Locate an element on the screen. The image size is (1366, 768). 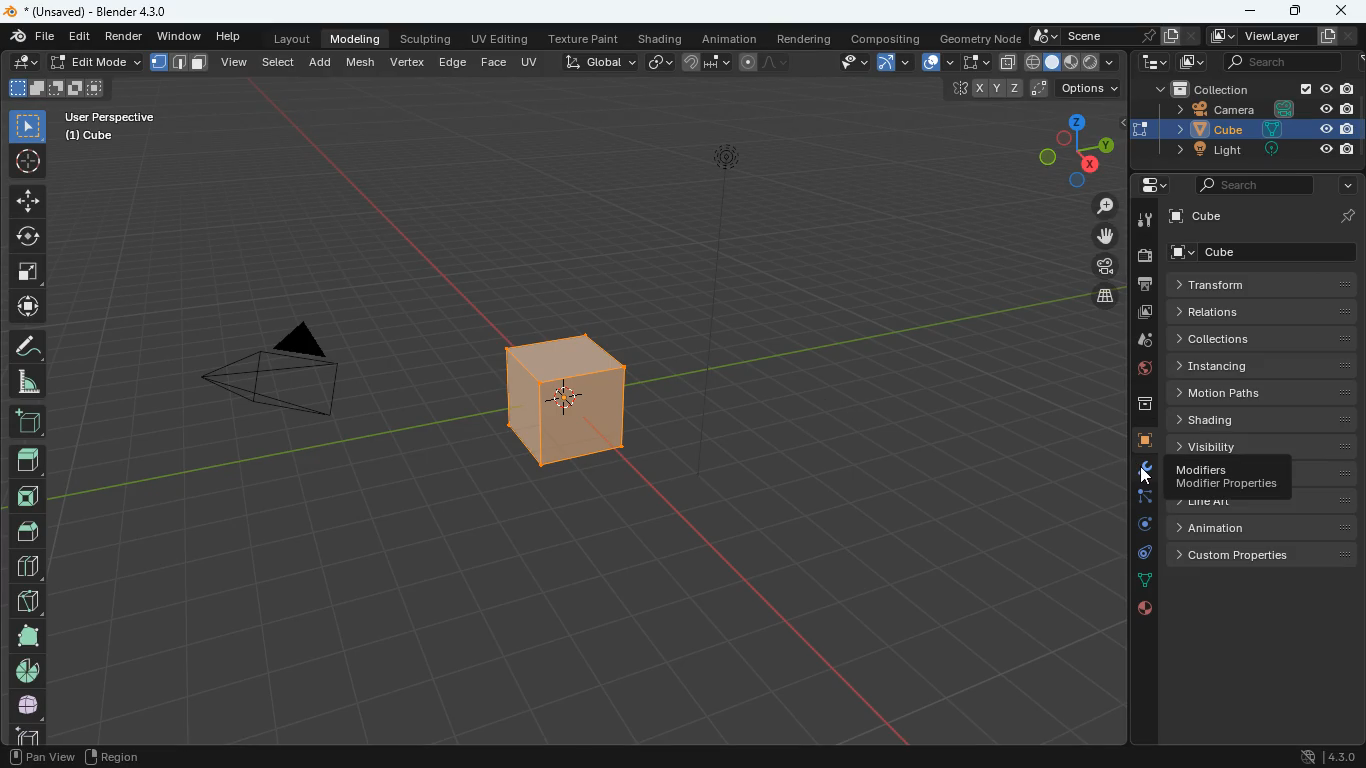
collection is located at coordinates (1248, 88).